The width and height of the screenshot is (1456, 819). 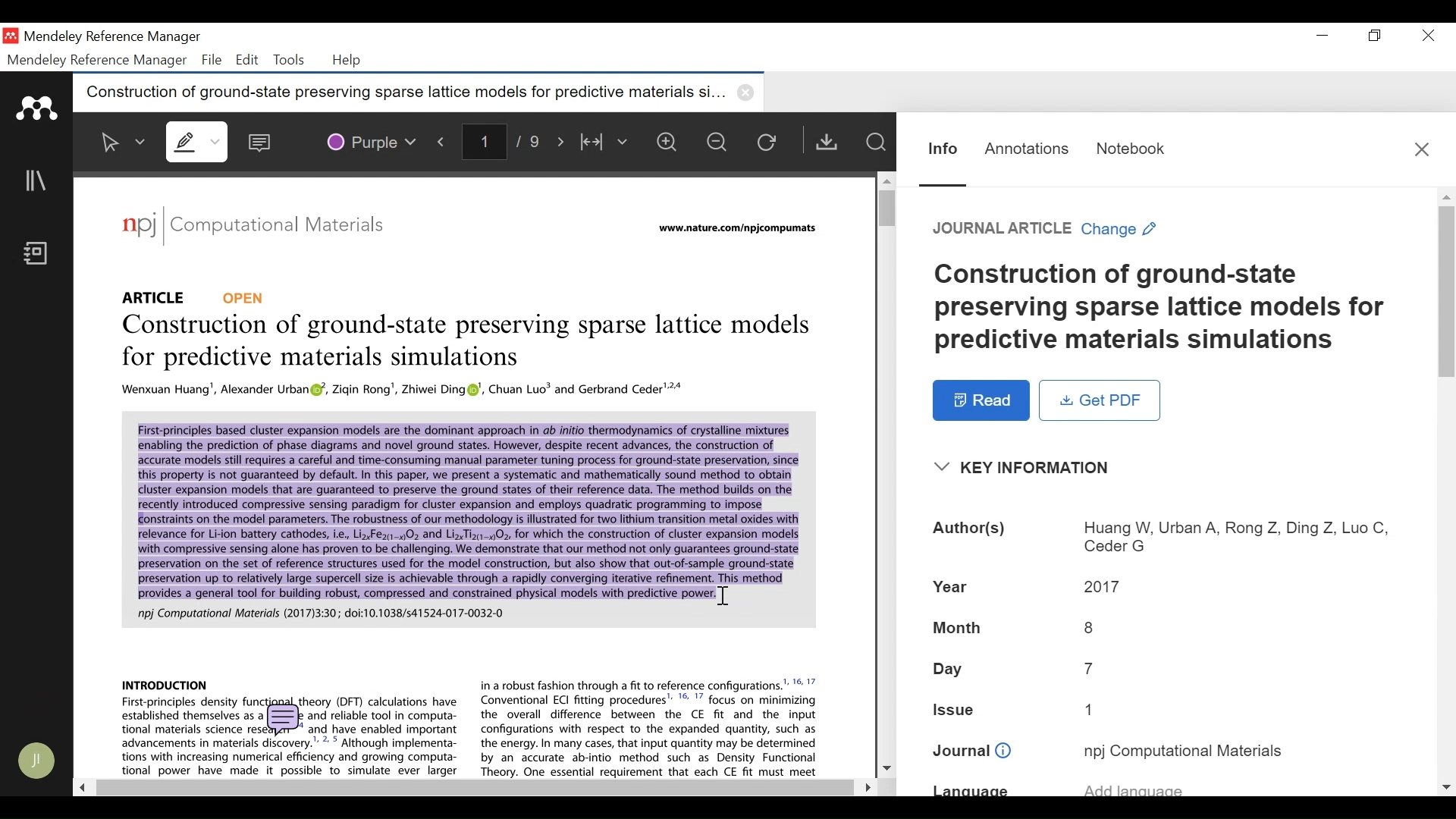 What do you see at coordinates (671, 142) in the screenshot?
I see `Zoom in` at bounding box center [671, 142].